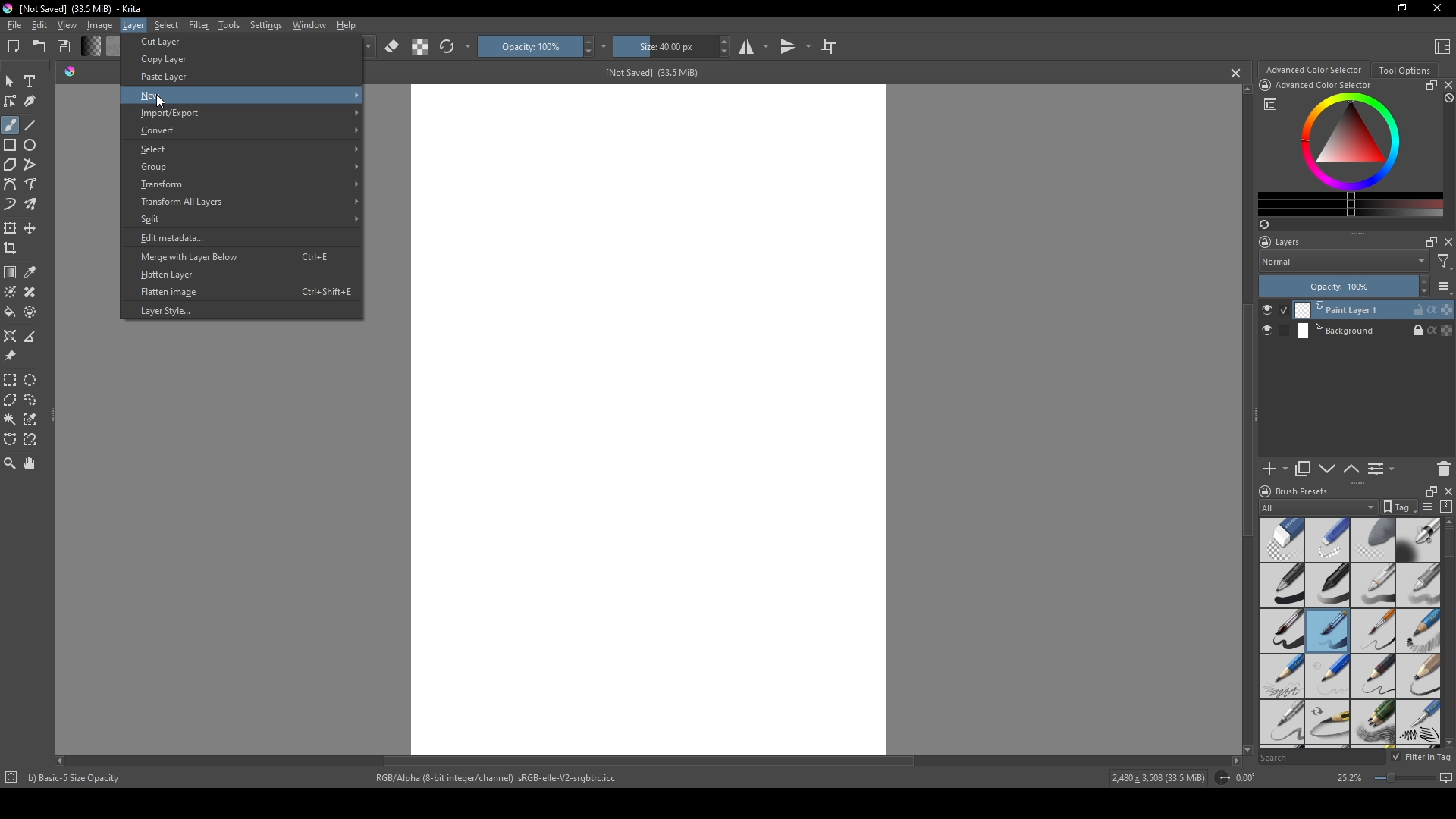 This screenshot has width=1456, height=819. What do you see at coordinates (1304, 469) in the screenshot?
I see `copy` at bounding box center [1304, 469].